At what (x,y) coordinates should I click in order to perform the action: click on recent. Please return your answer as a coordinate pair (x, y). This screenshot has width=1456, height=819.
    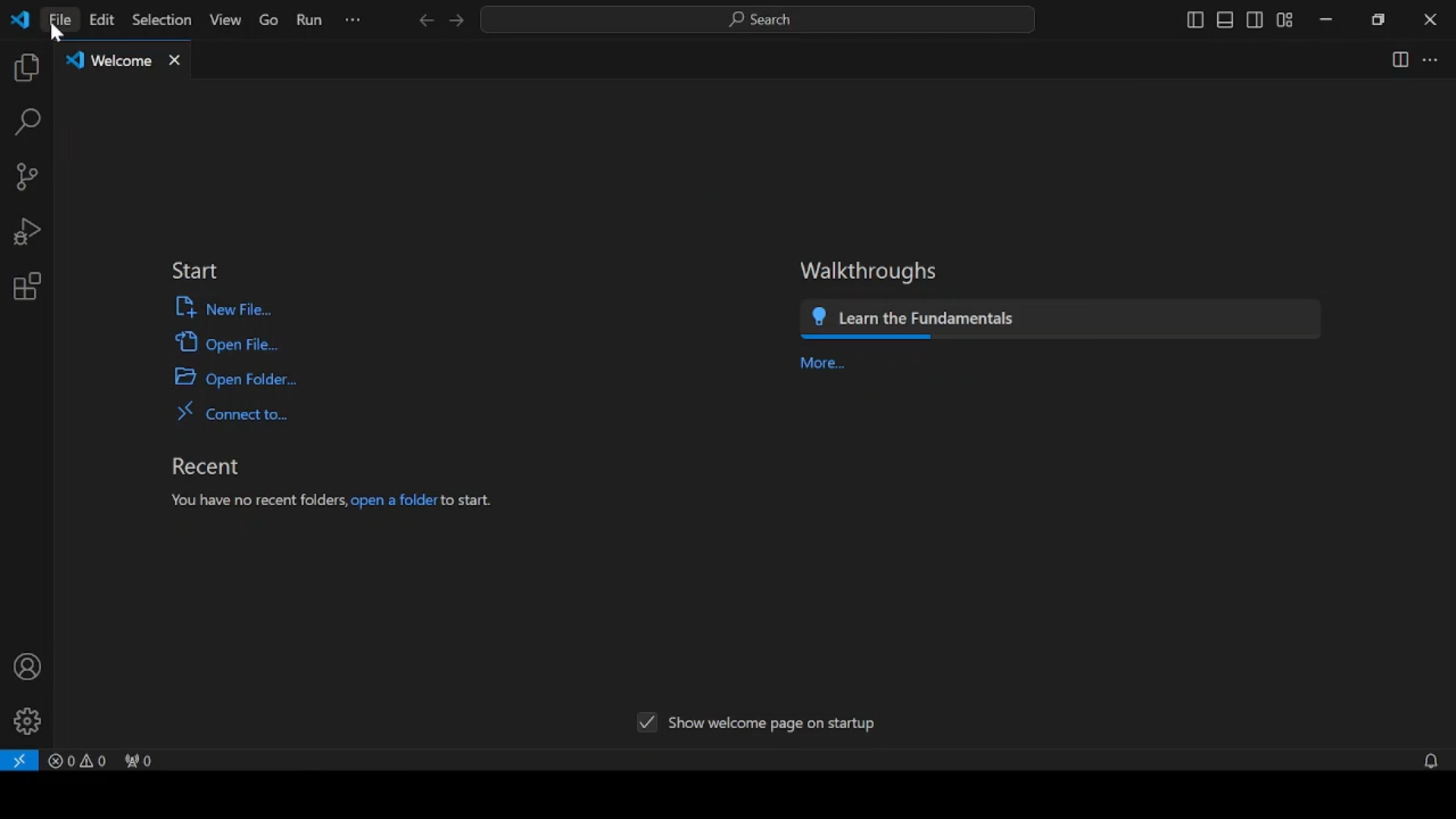
    Looking at the image, I should click on (205, 466).